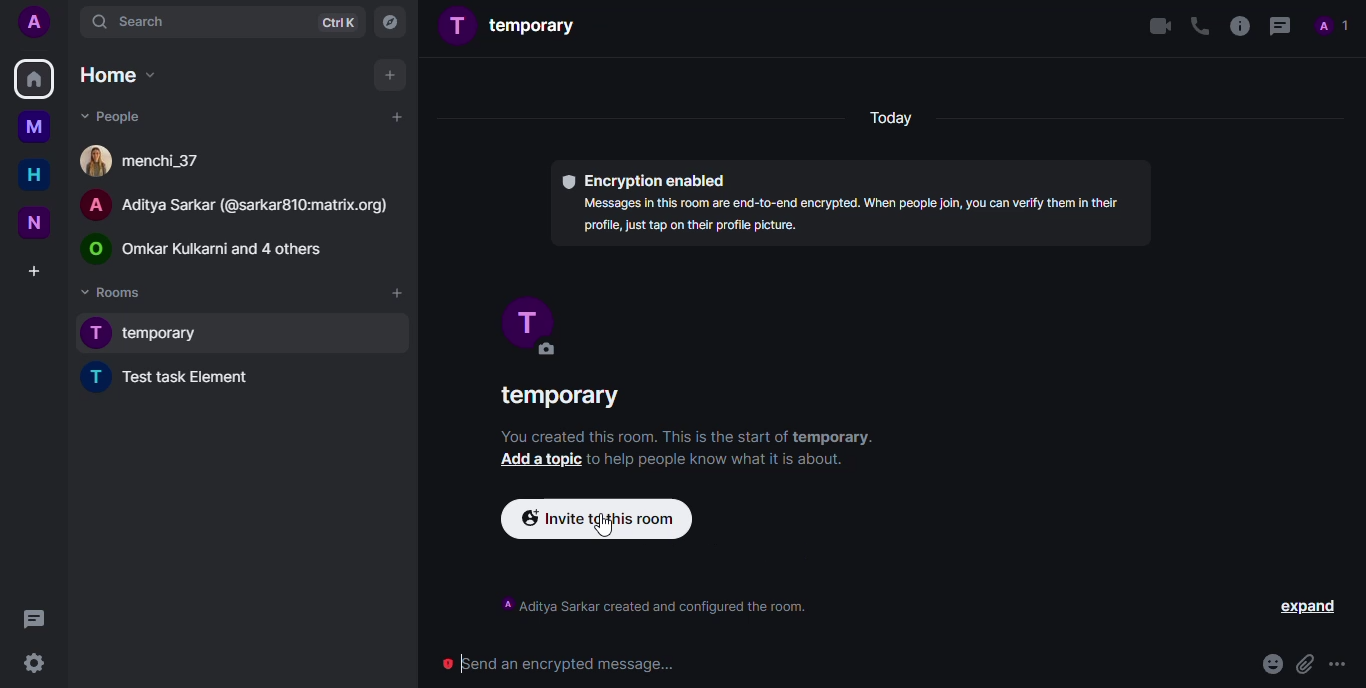 The image size is (1366, 688). I want to click on A Aditya Sarkar created and configured the room., so click(652, 609).